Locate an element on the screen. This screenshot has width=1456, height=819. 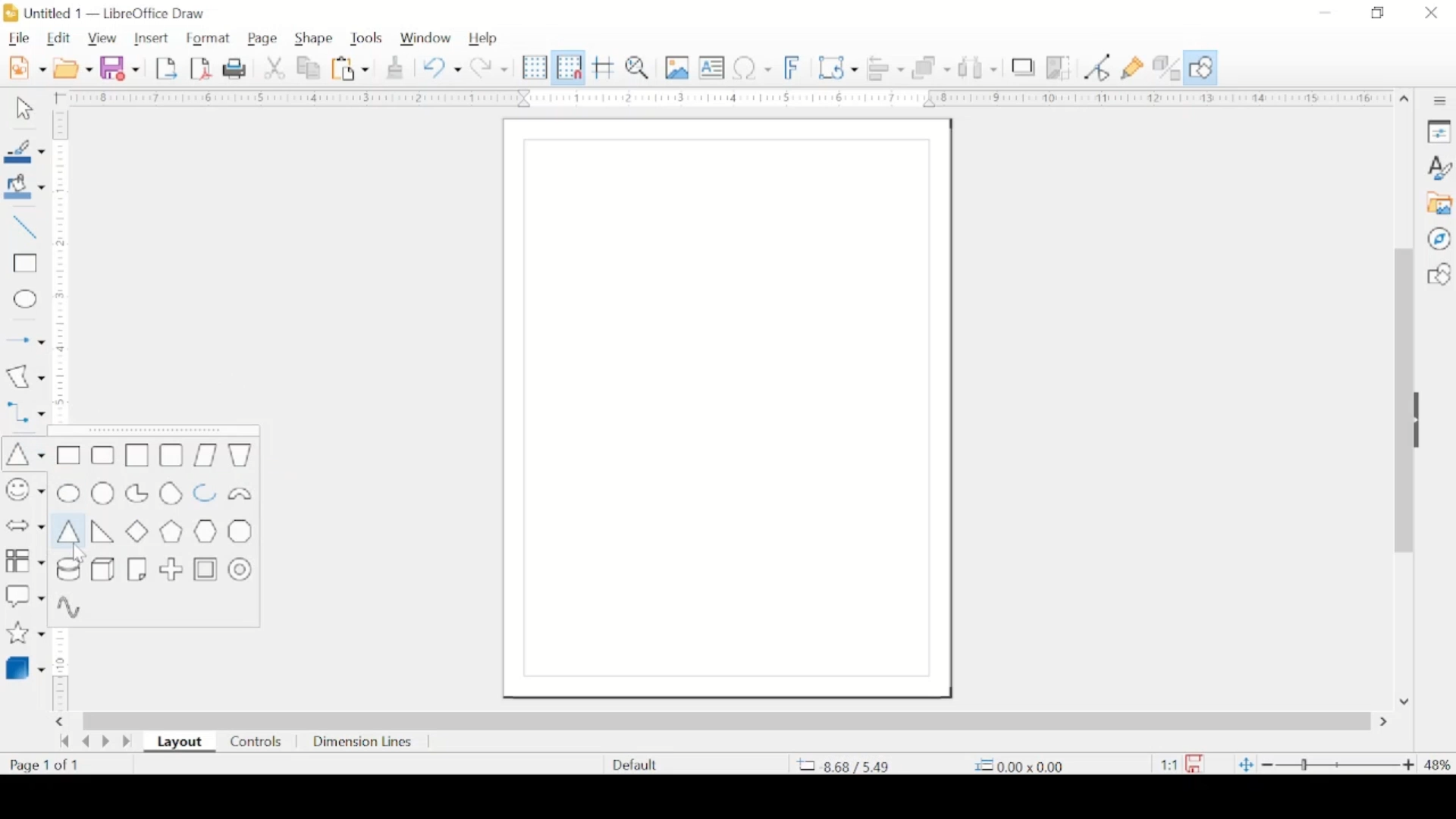
block arc is located at coordinates (240, 494).